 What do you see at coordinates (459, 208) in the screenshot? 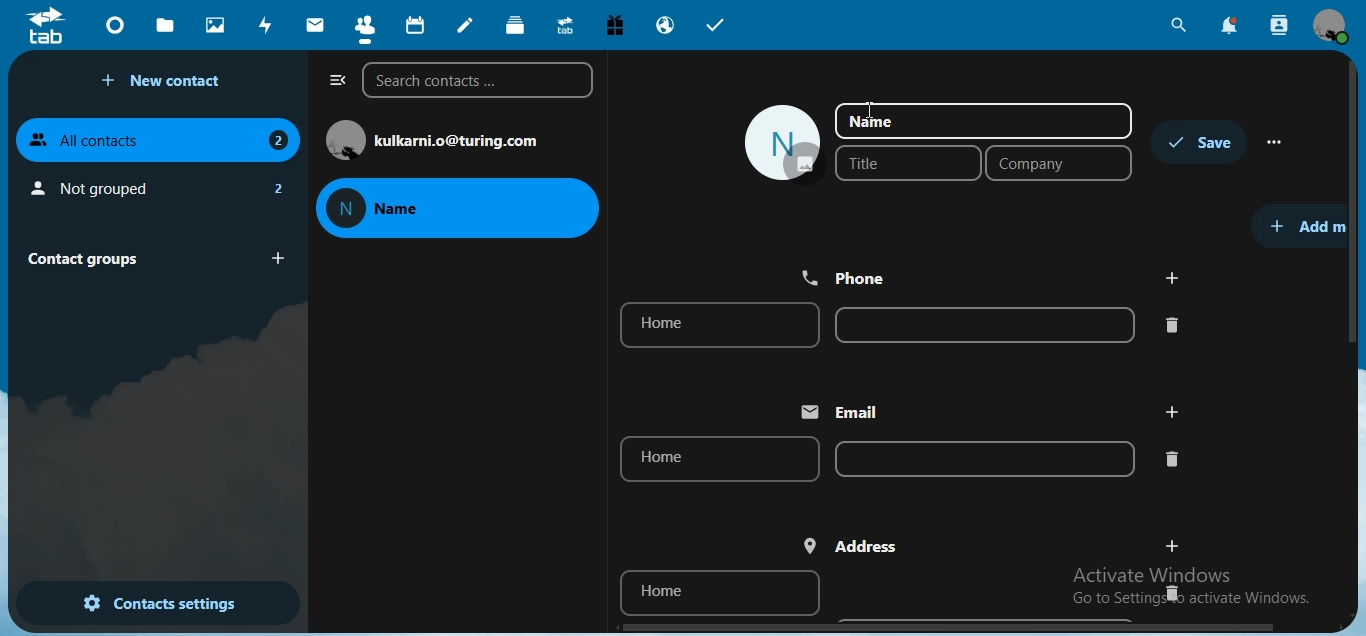
I see `name` at bounding box center [459, 208].